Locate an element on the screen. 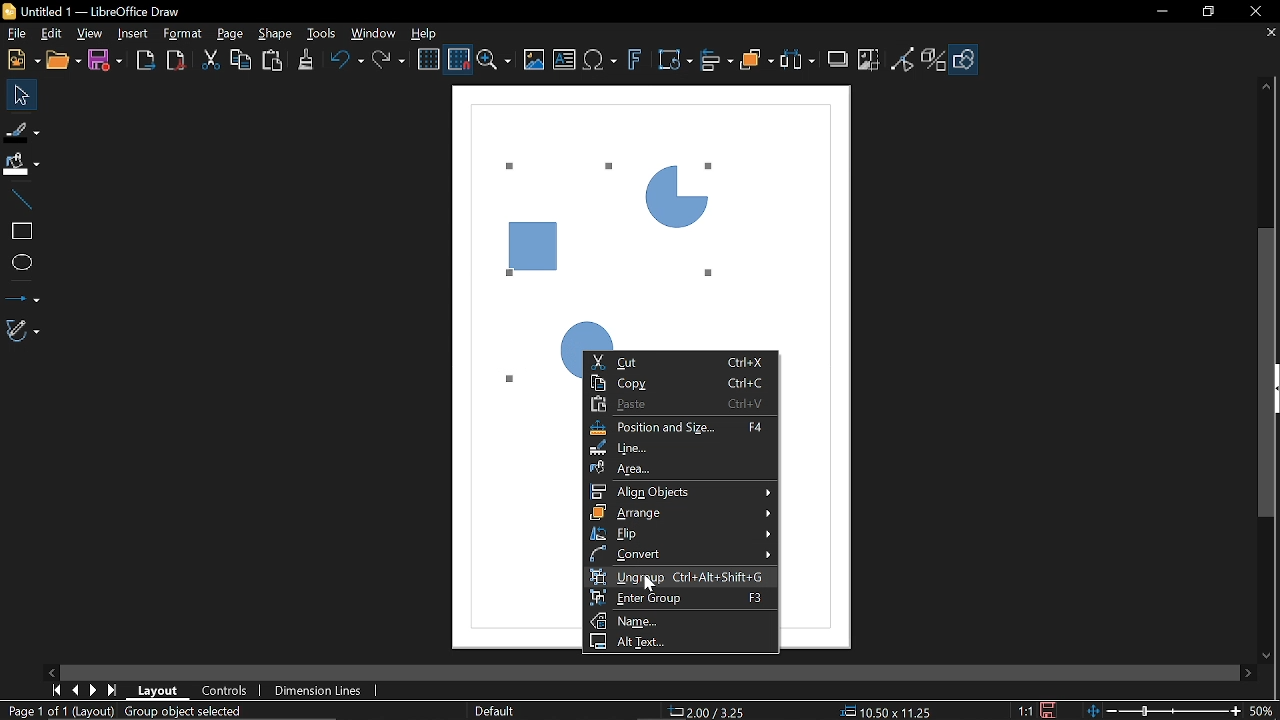 The image size is (1280, 720). Position adn size is located at coordinates (683, 429).